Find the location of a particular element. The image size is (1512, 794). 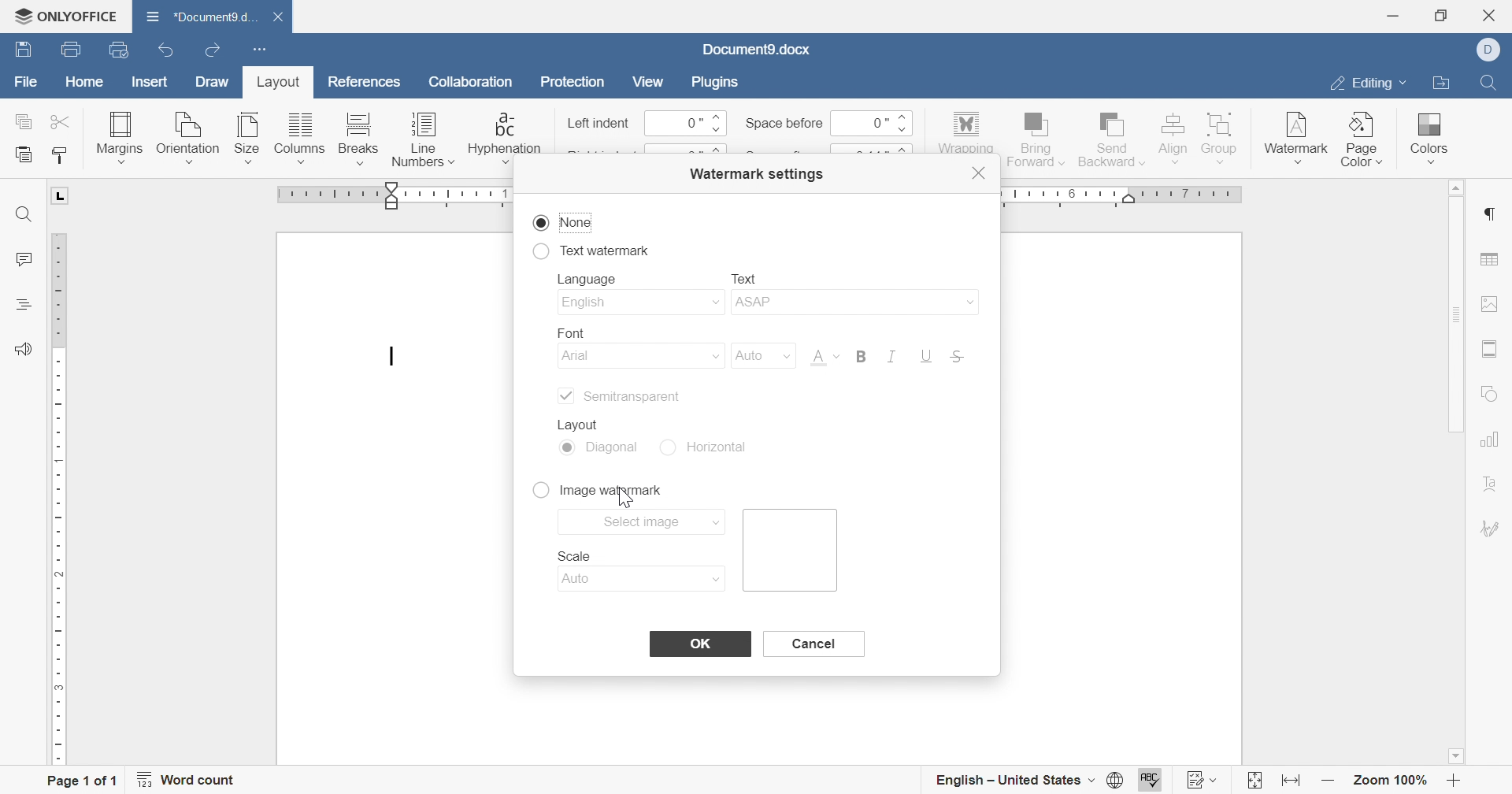

scroll bar is located at coordinates (1454, 314).